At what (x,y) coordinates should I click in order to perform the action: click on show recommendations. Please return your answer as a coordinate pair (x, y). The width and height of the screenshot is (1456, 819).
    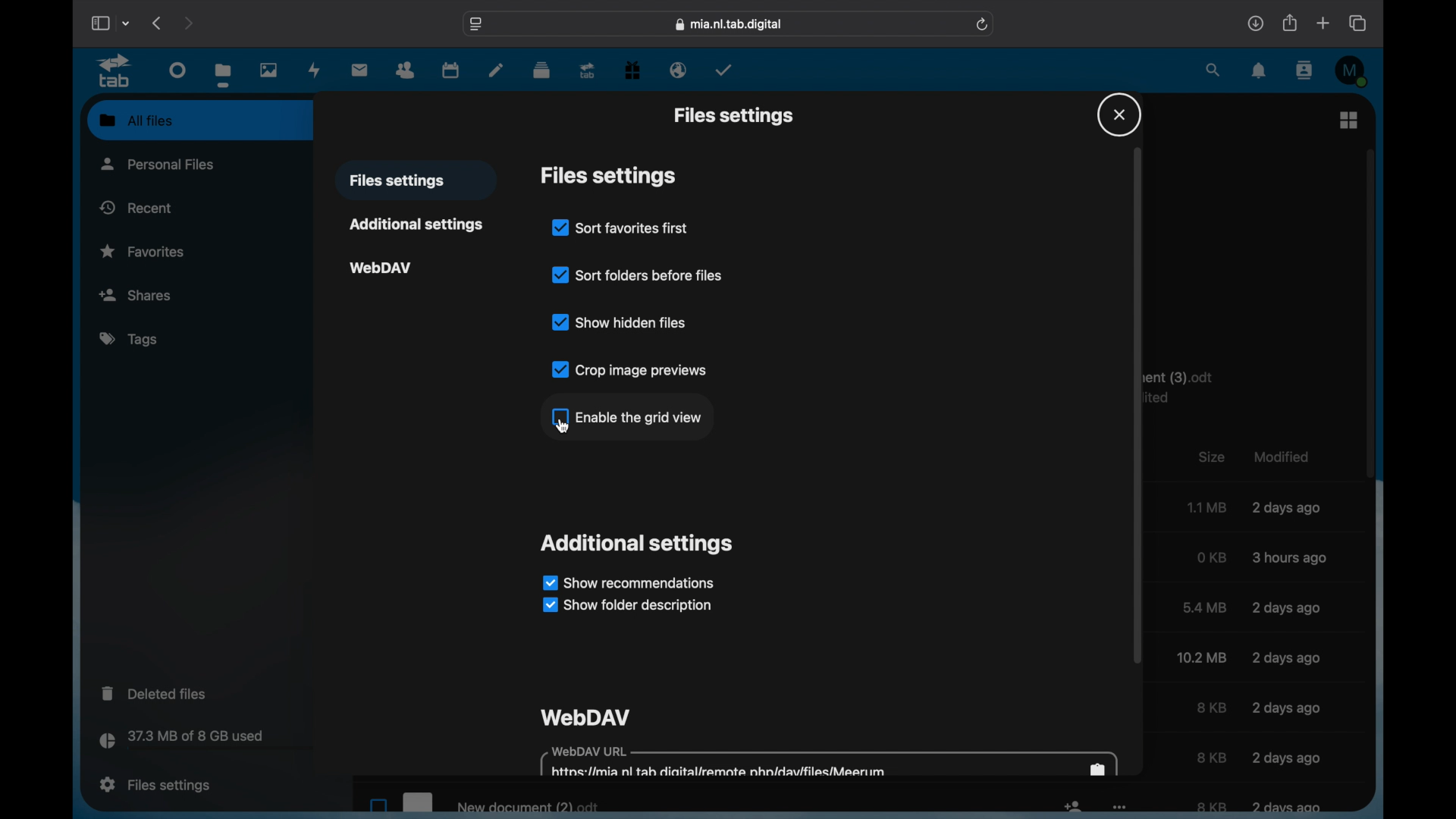
    Looking at the image, I should click on (628, 582).